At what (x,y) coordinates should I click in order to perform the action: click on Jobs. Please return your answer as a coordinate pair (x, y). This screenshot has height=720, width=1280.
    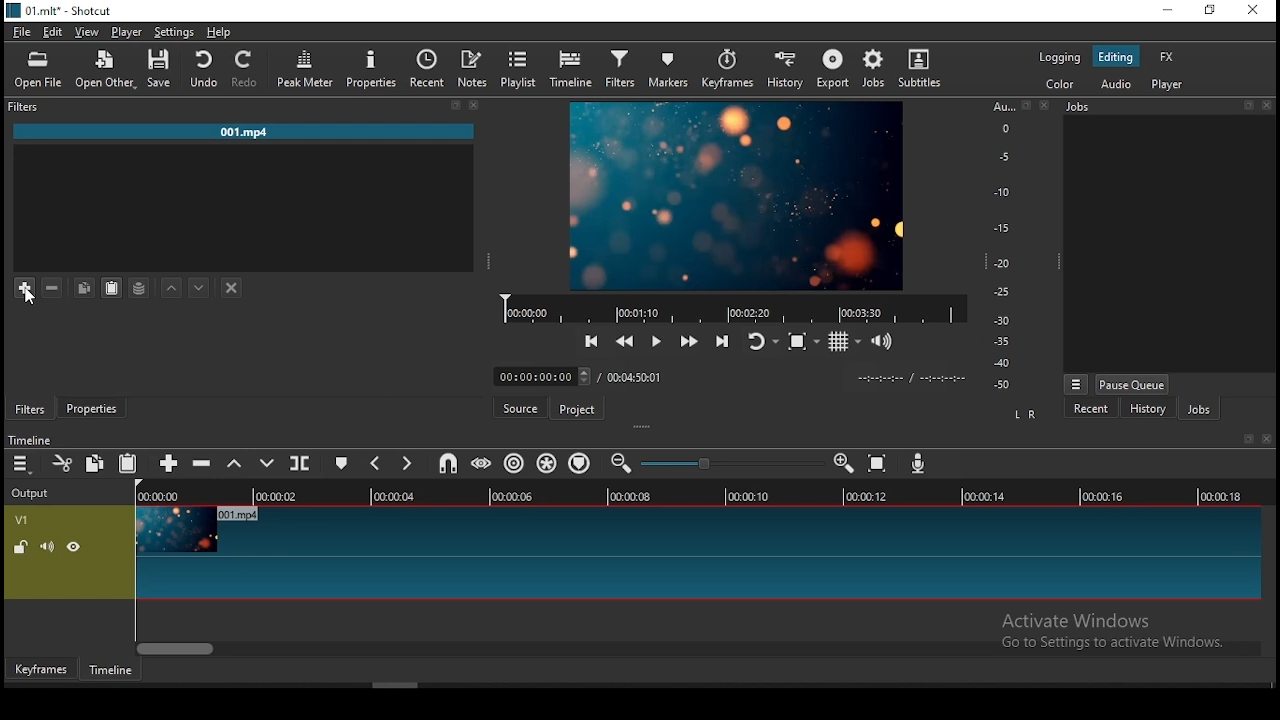
    Looking at the image, I should click on (1080, 106).